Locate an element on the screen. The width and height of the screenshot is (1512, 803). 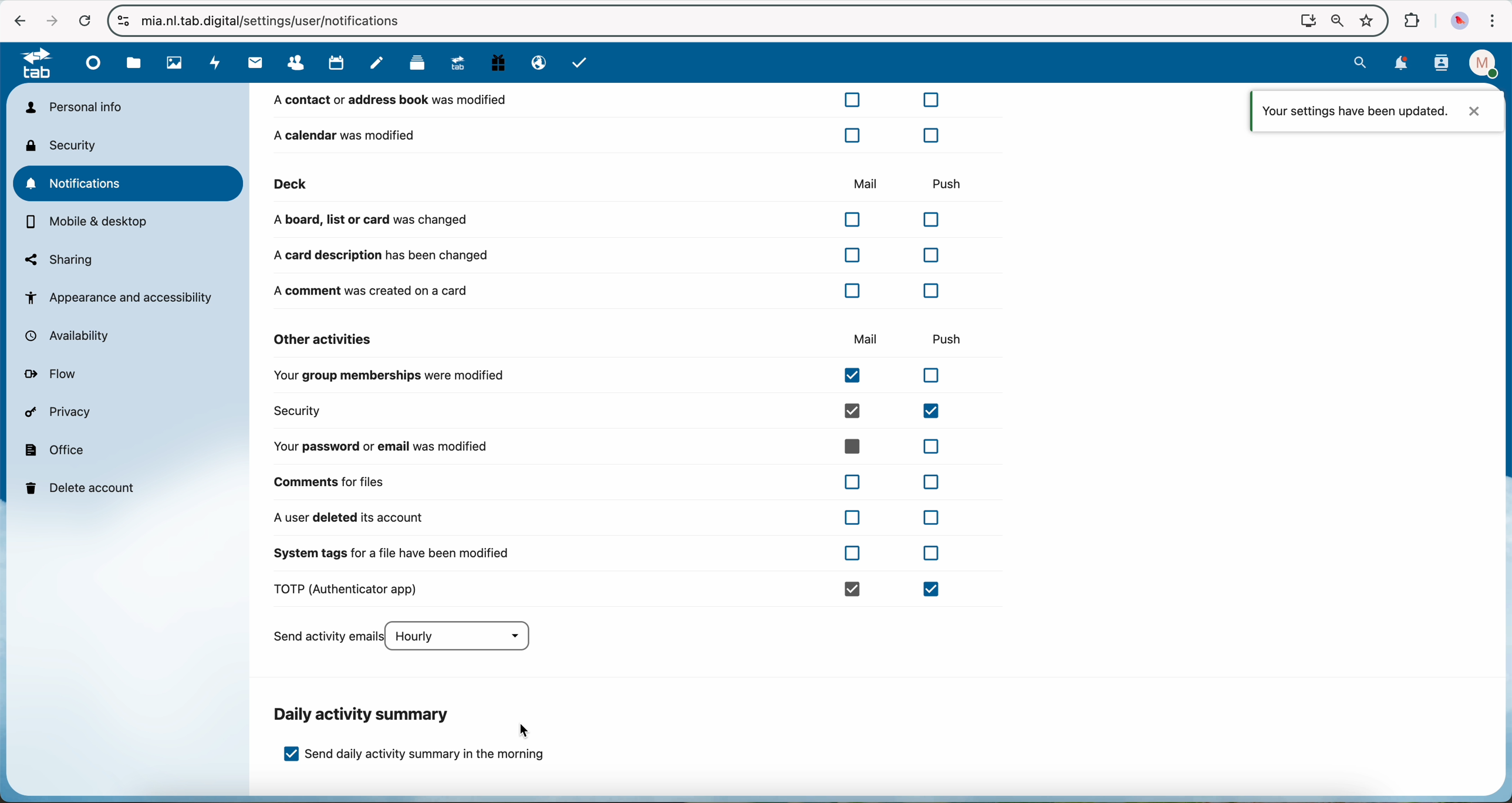
file is located at coordinates (134, 63).